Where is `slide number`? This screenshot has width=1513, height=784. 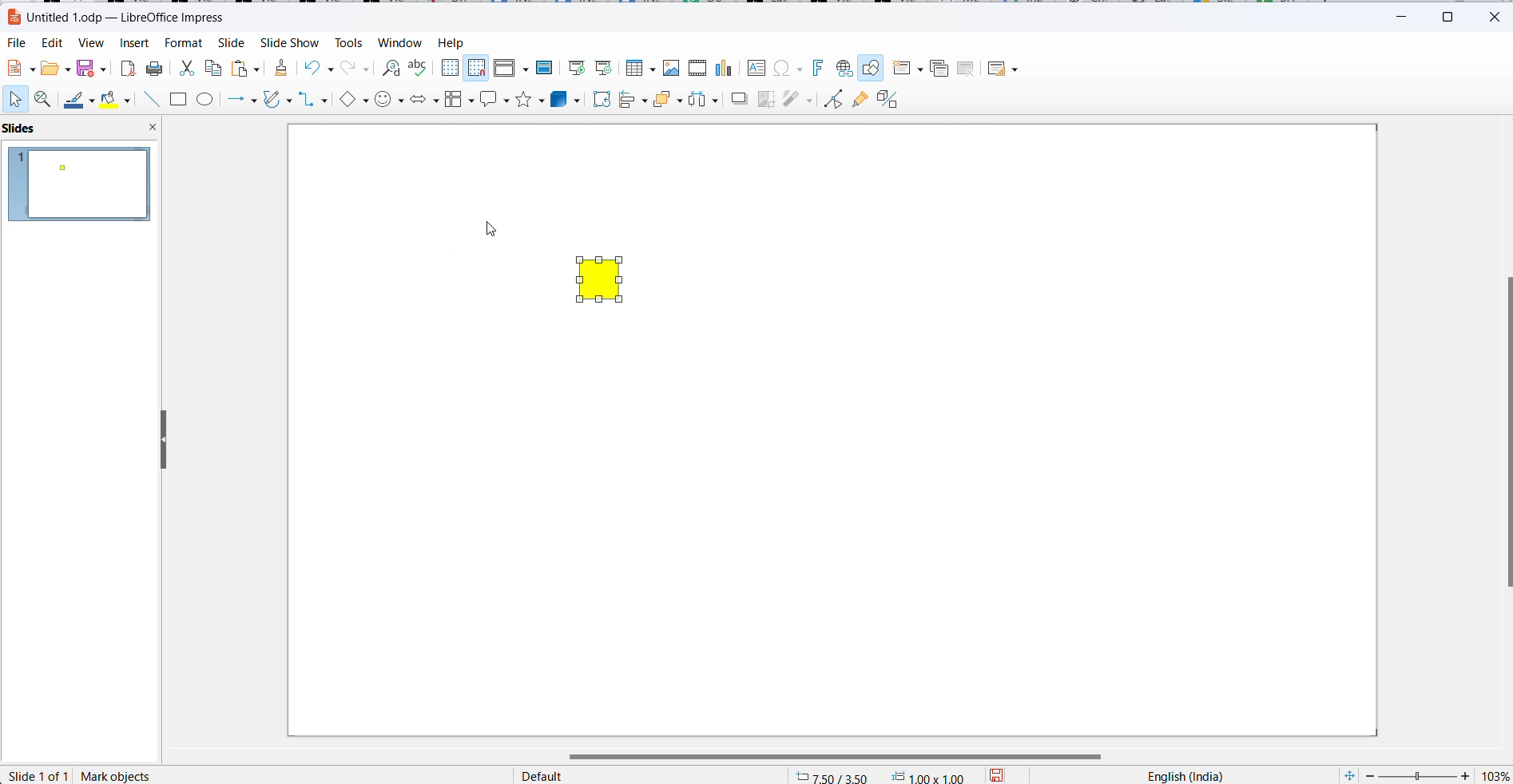
slide number is located at coordinates (40, 775).